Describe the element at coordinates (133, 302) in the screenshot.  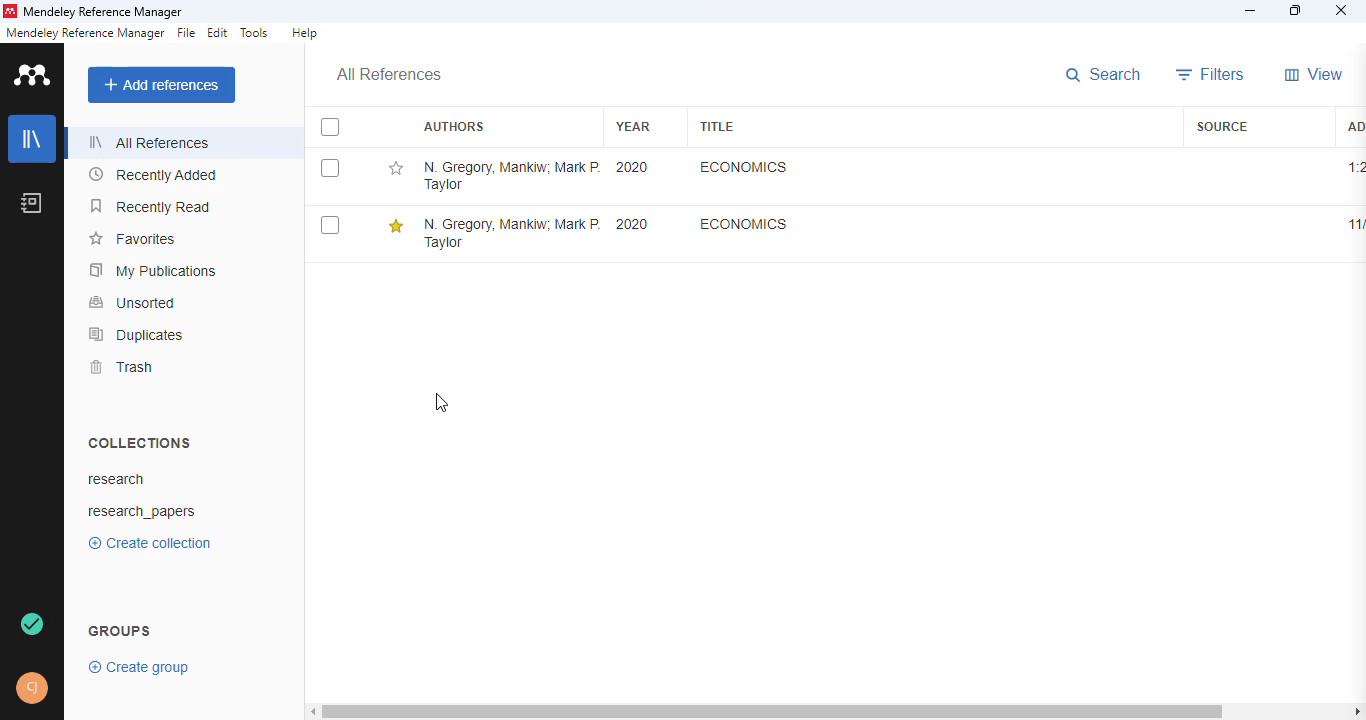
I see `unsorted` at that location.